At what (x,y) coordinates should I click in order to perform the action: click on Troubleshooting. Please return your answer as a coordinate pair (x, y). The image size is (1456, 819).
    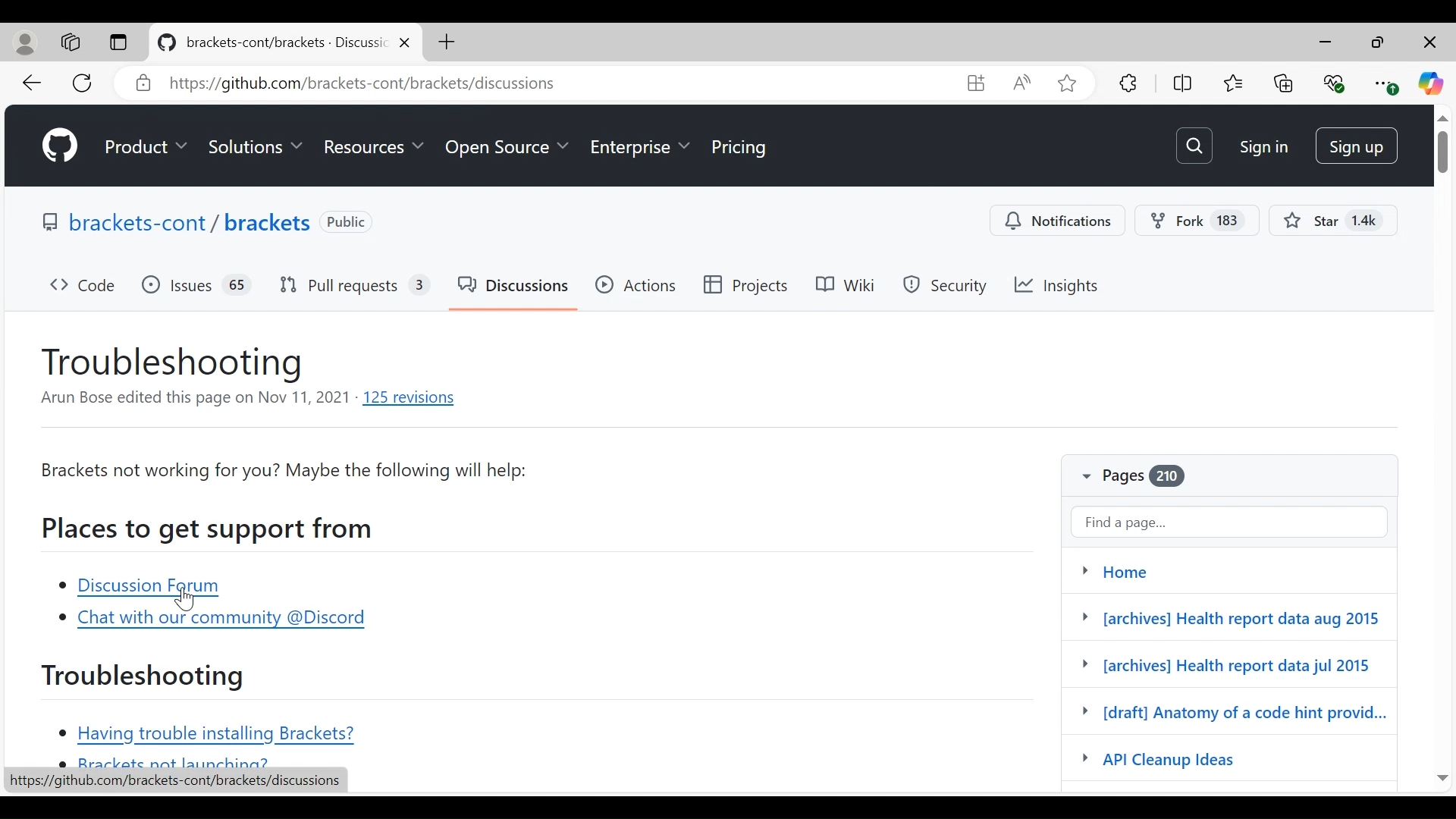
    Looking at the image, I should click on (145, 676).